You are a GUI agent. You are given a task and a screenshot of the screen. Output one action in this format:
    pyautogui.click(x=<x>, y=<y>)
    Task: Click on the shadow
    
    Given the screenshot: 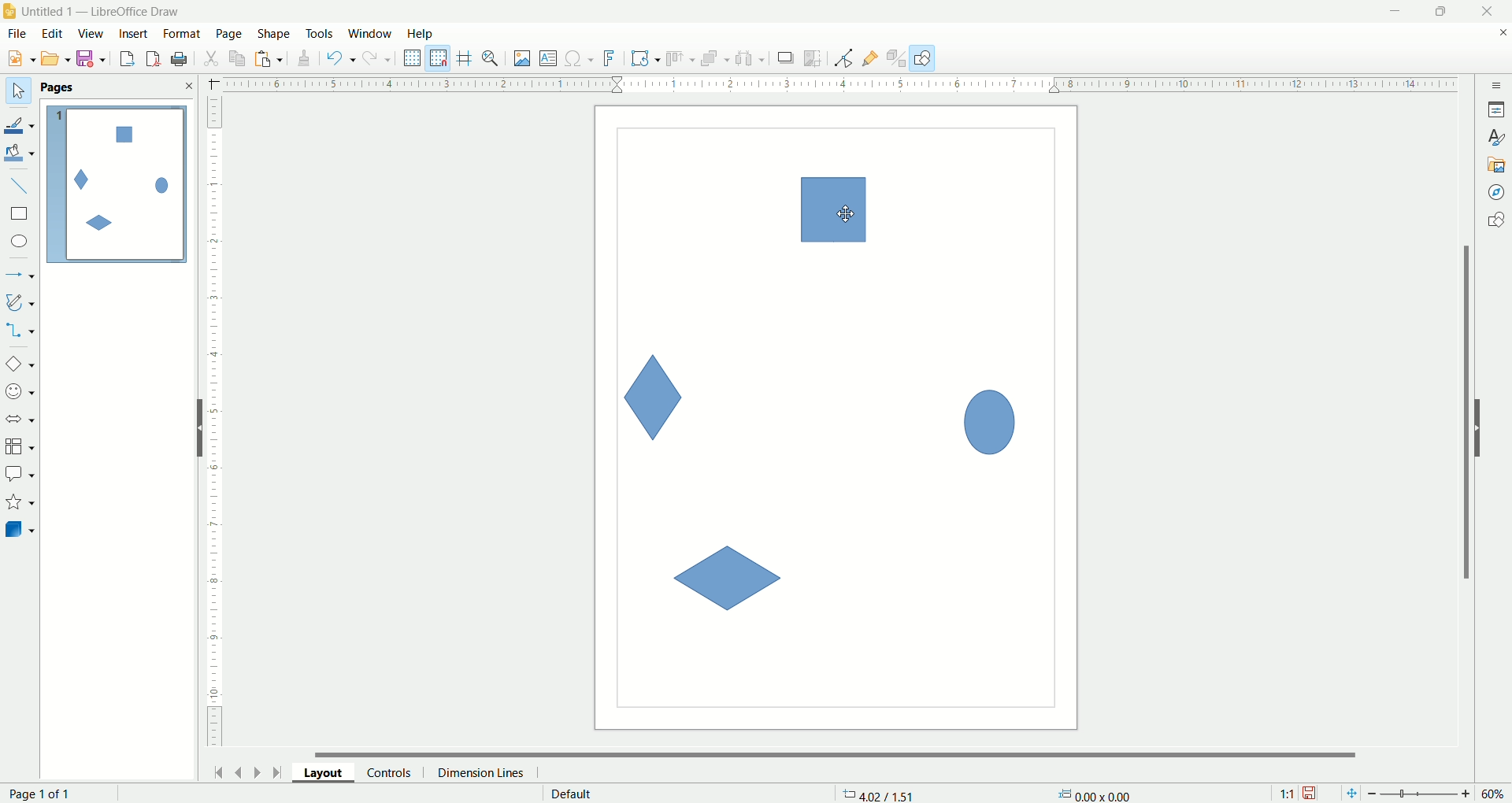 What is the action you would take?
    pyautogui.click(x=786, y=57)
    